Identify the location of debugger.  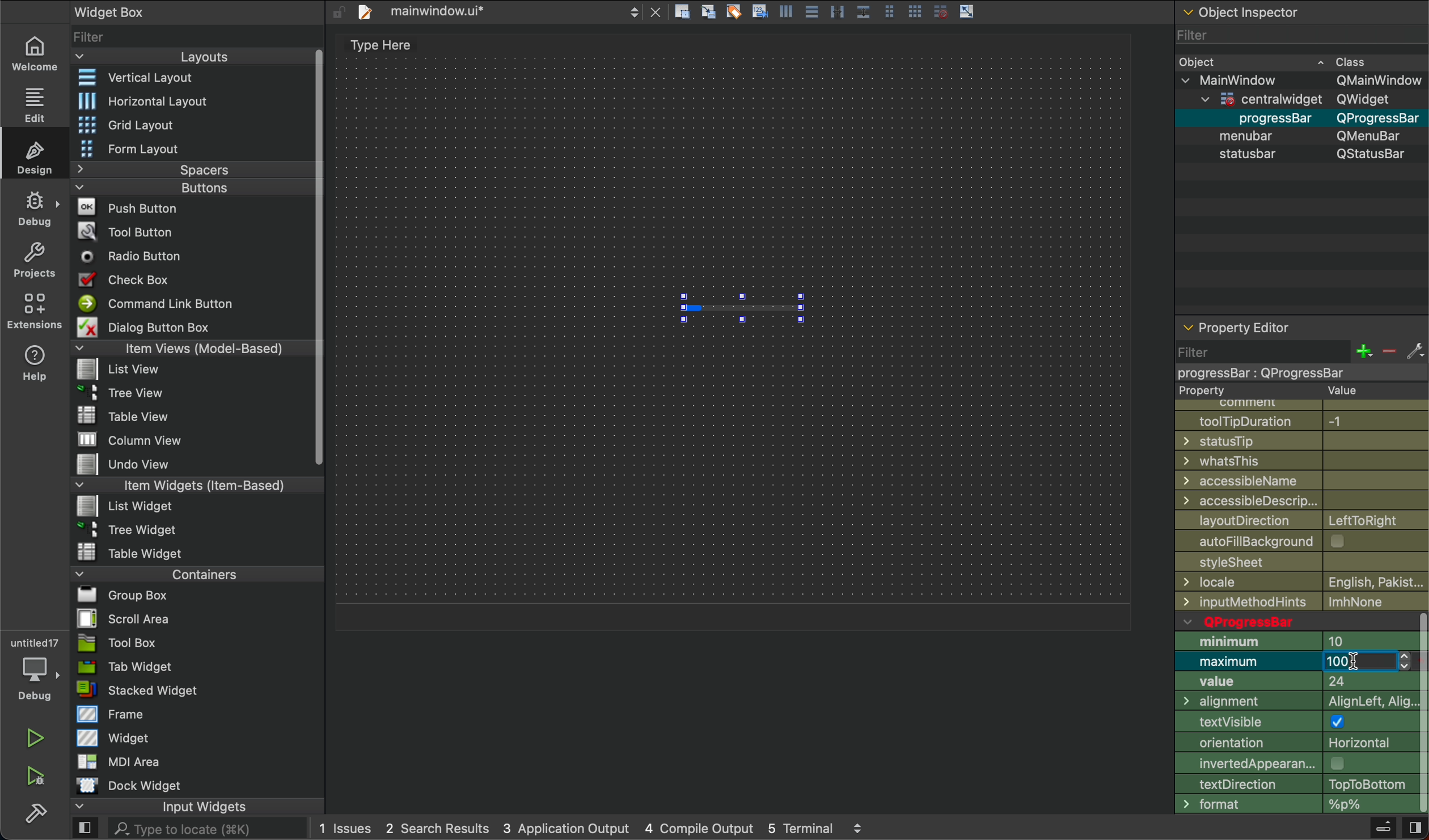
(34, 667).